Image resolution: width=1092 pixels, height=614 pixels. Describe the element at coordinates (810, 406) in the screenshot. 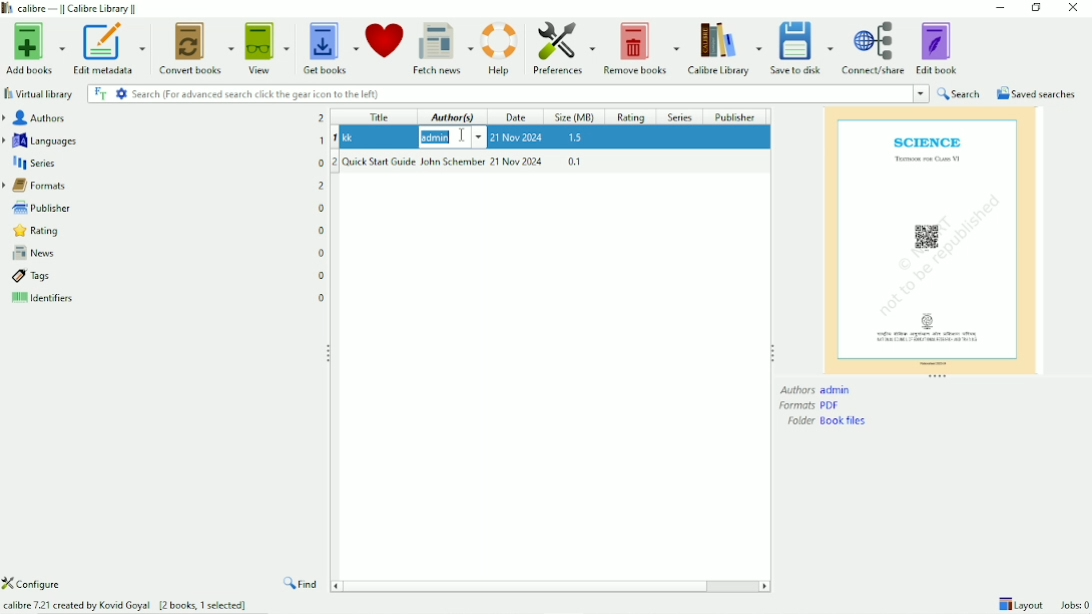

I see `Formats` at that location.